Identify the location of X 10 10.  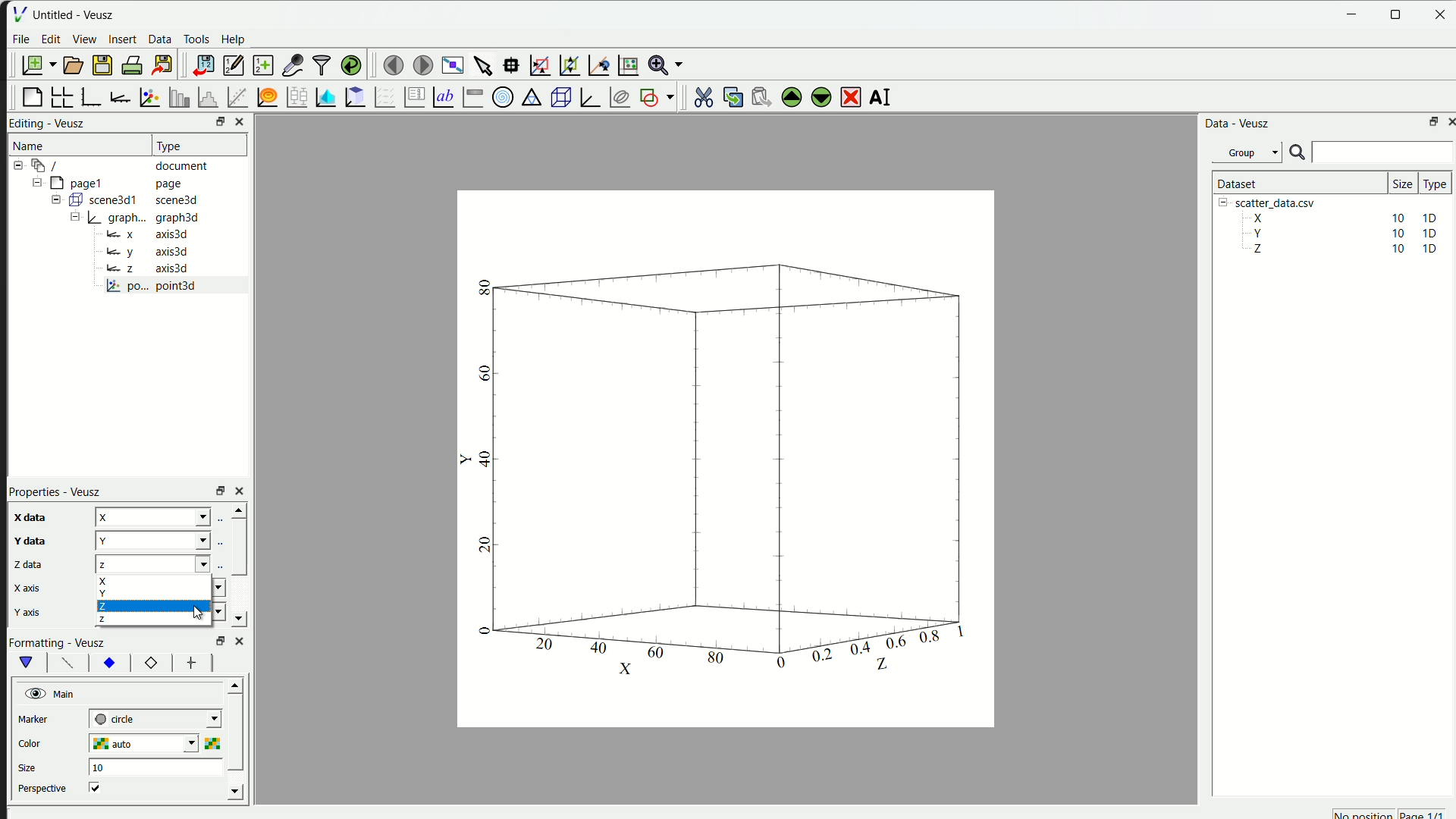
(1339, 217).